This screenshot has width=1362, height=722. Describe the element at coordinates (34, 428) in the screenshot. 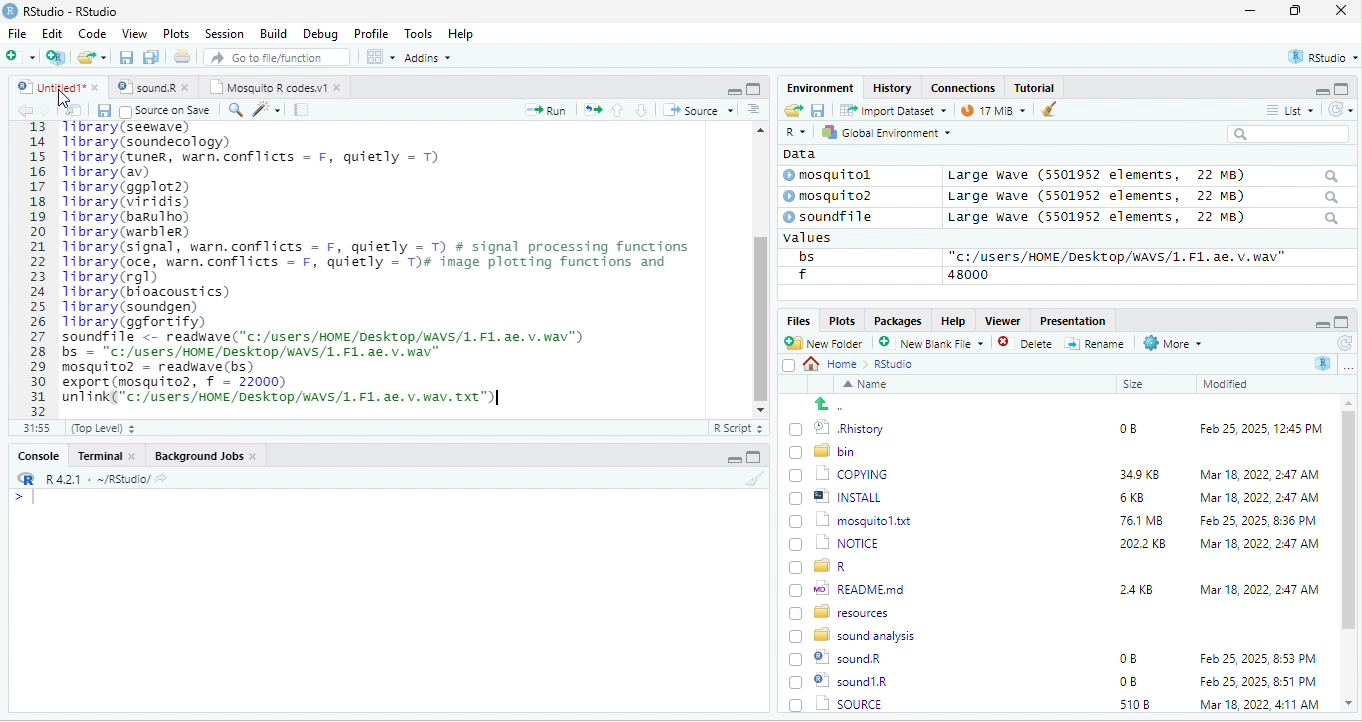

I see `31:55` at that location.